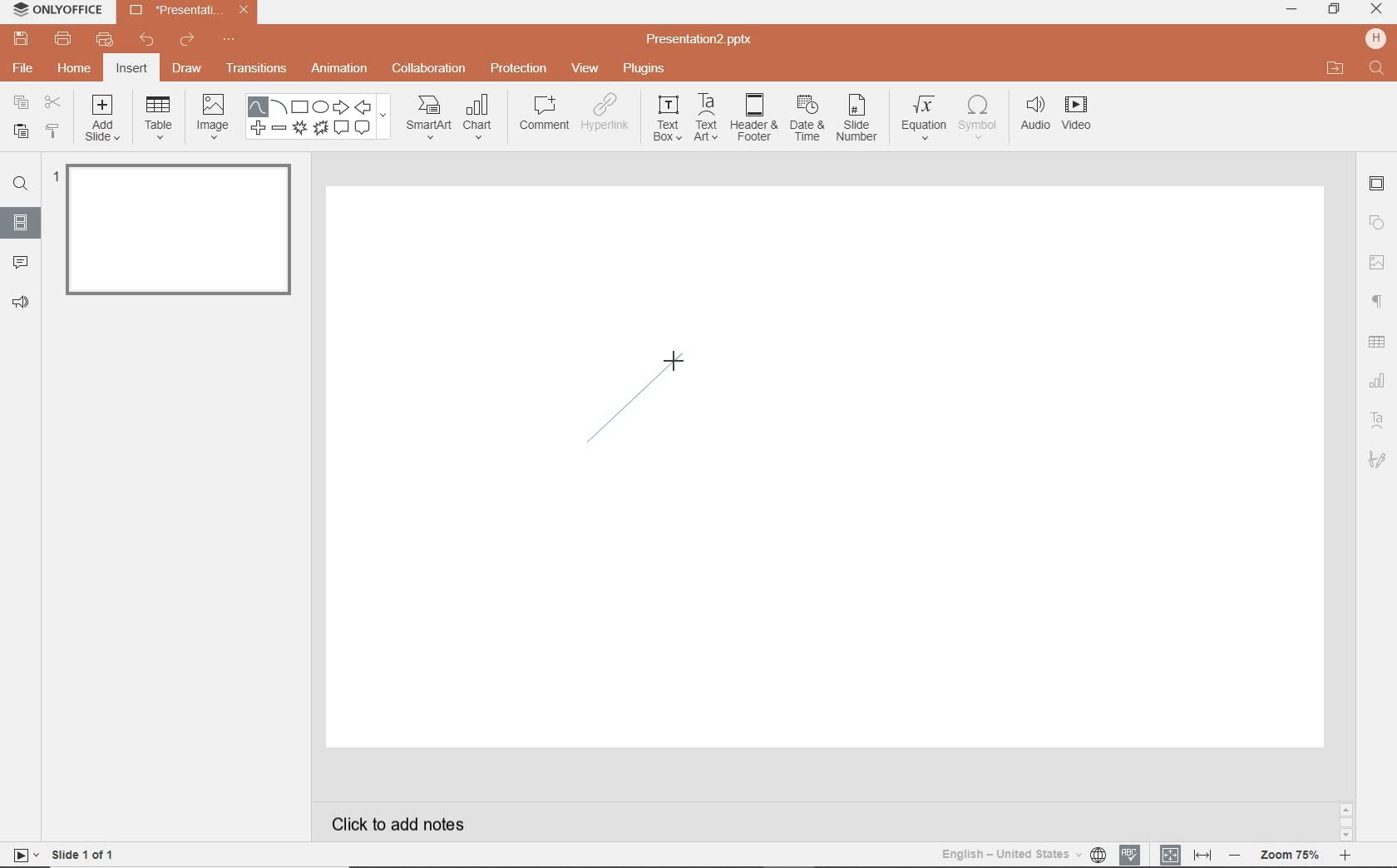 This screenshot has width=1397, height=868. Describe the element at coordinates (403, 824) in the screenshot. I see `CLICK TO ADD NOTES` at that location.